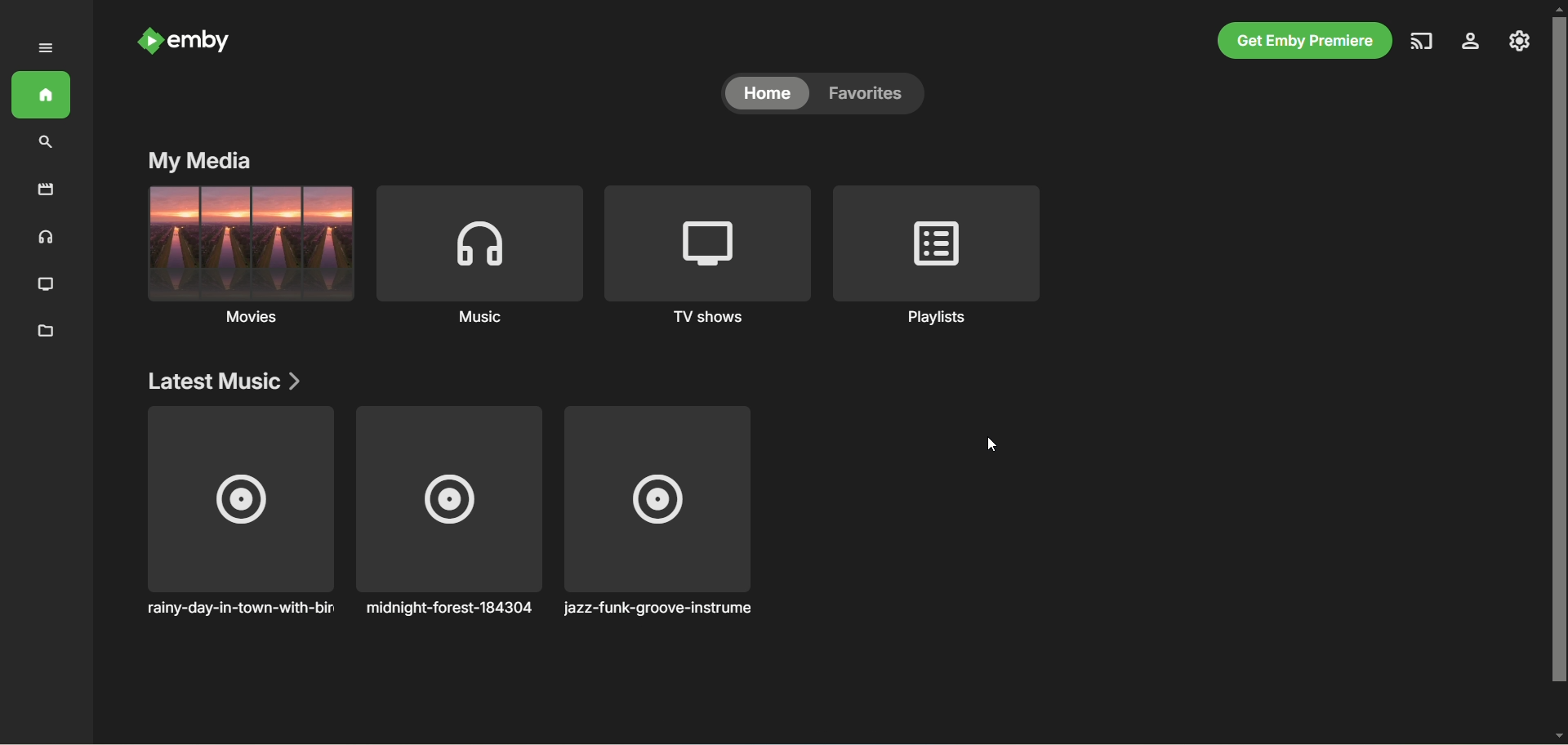 This screenshot has width=1568, height=745. I want to click on emby, so click(199, 41).